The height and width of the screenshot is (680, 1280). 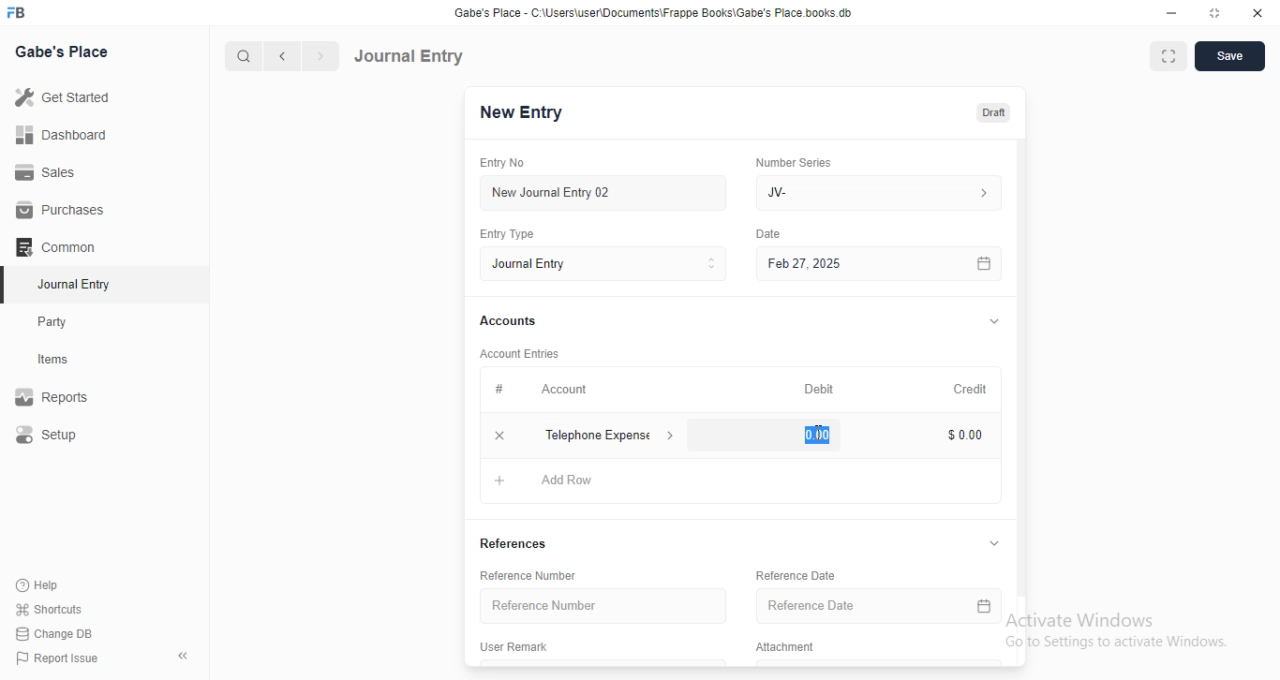 What do you see at coordinates (63, 51) in the screenshot?
I see `Gabe's Place` at bounding box center [63, 51].